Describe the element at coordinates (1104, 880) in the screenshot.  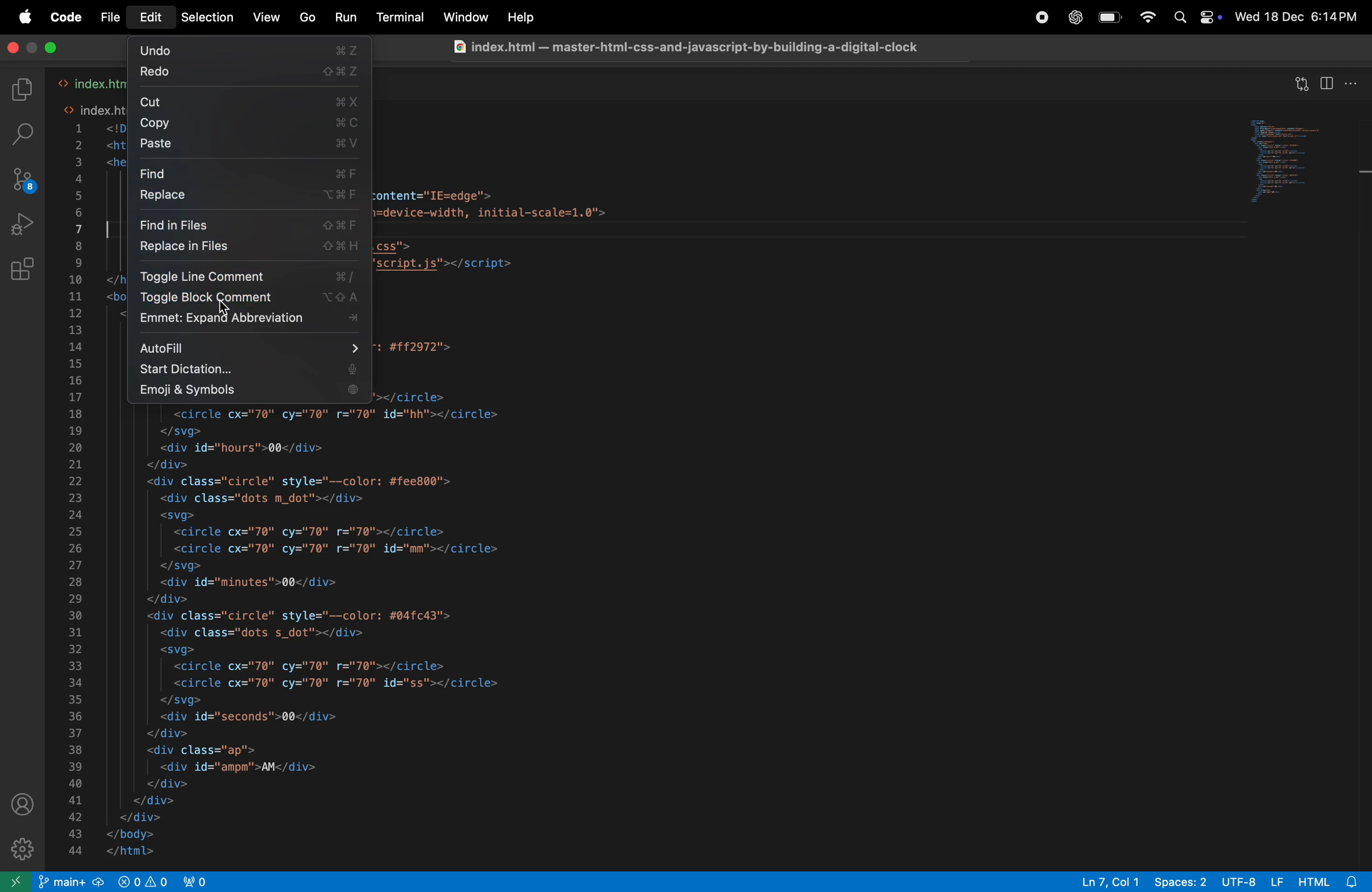
I see `ln col 7 and 1` at that location.